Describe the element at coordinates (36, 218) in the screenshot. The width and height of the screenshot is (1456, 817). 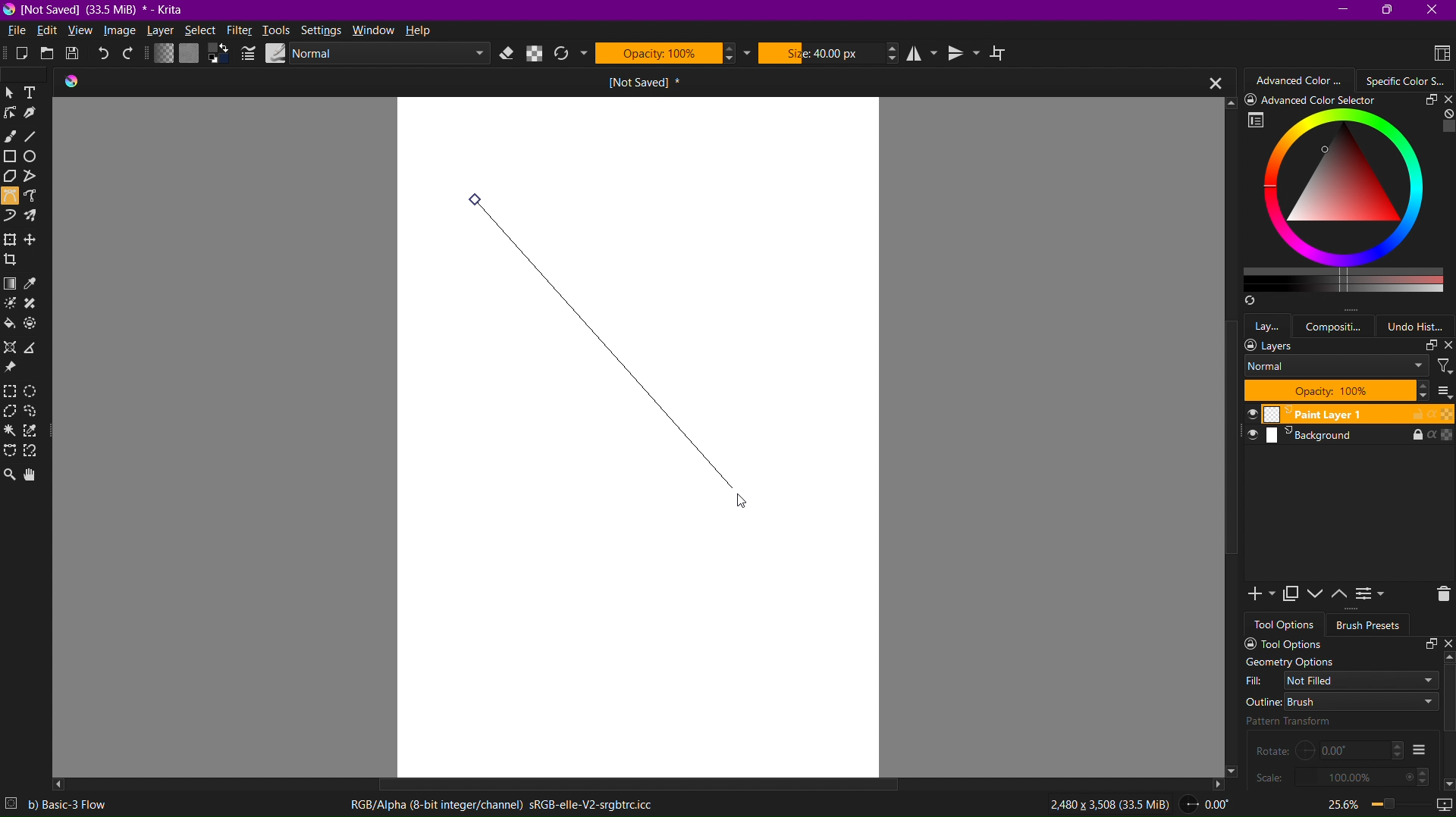
I see `Multibrush Tool` at that location.